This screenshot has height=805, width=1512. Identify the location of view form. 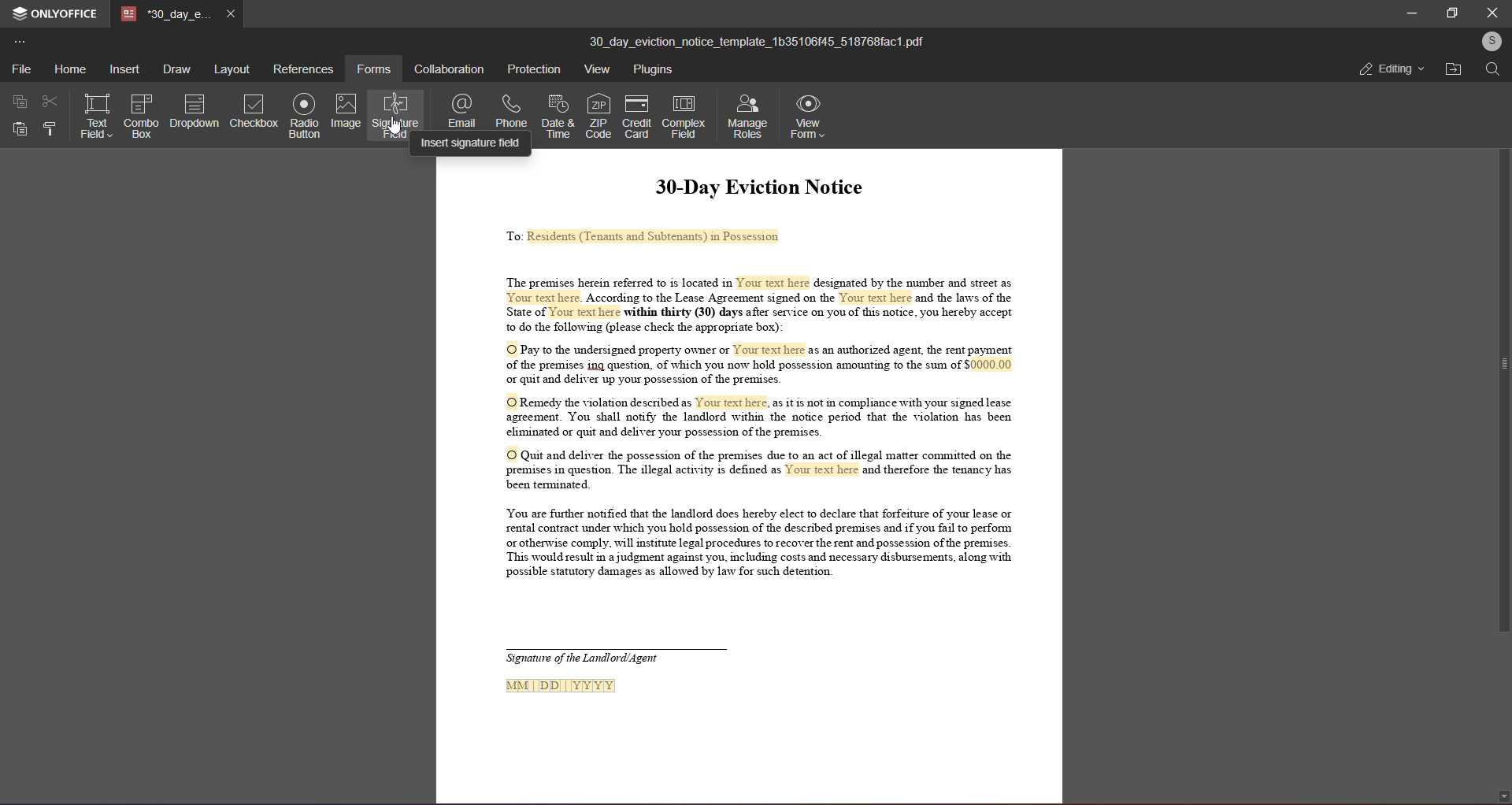
(808, 117).